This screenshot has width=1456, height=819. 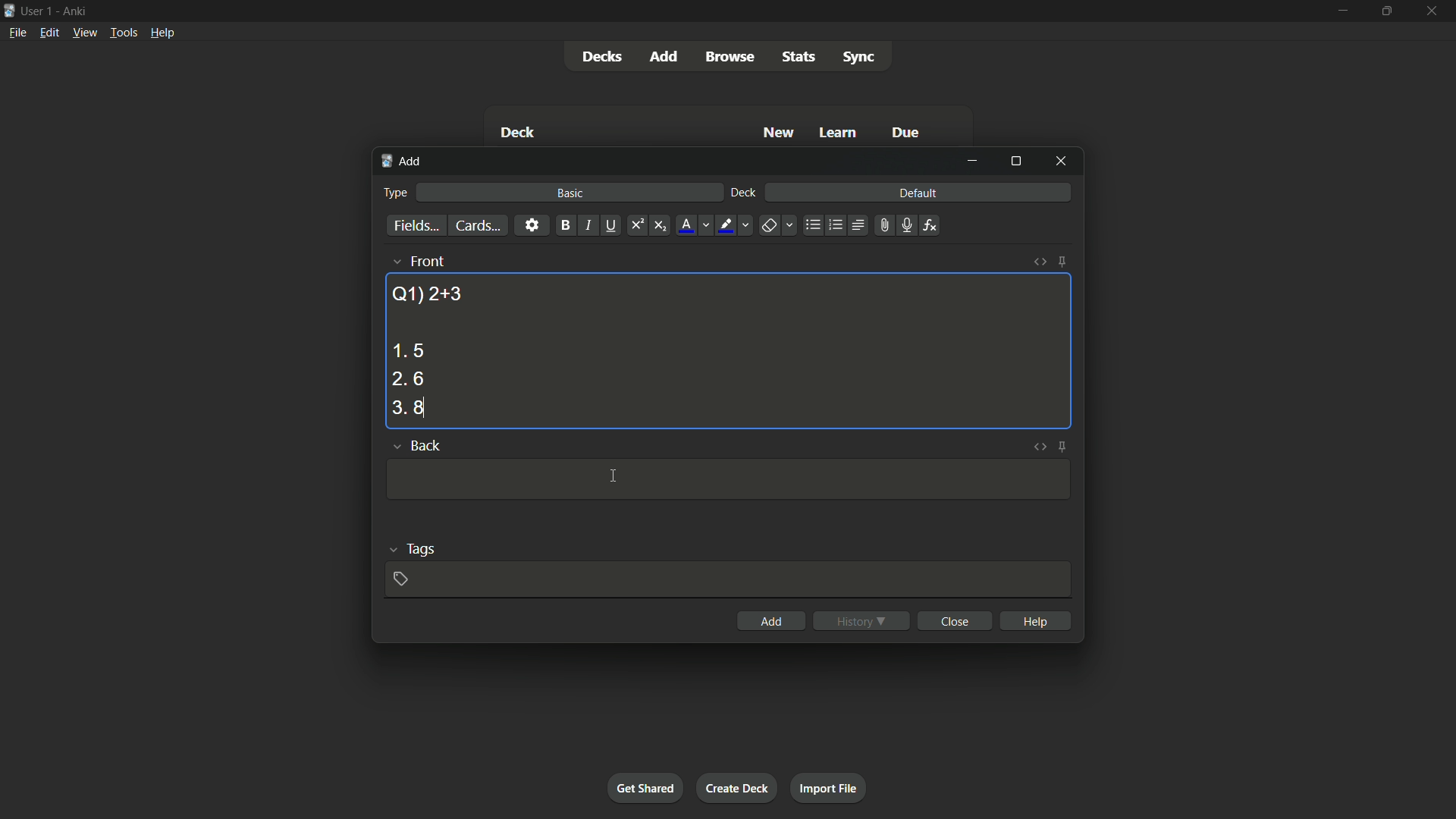 I want to click on subscript, so click(x=660, y=226).